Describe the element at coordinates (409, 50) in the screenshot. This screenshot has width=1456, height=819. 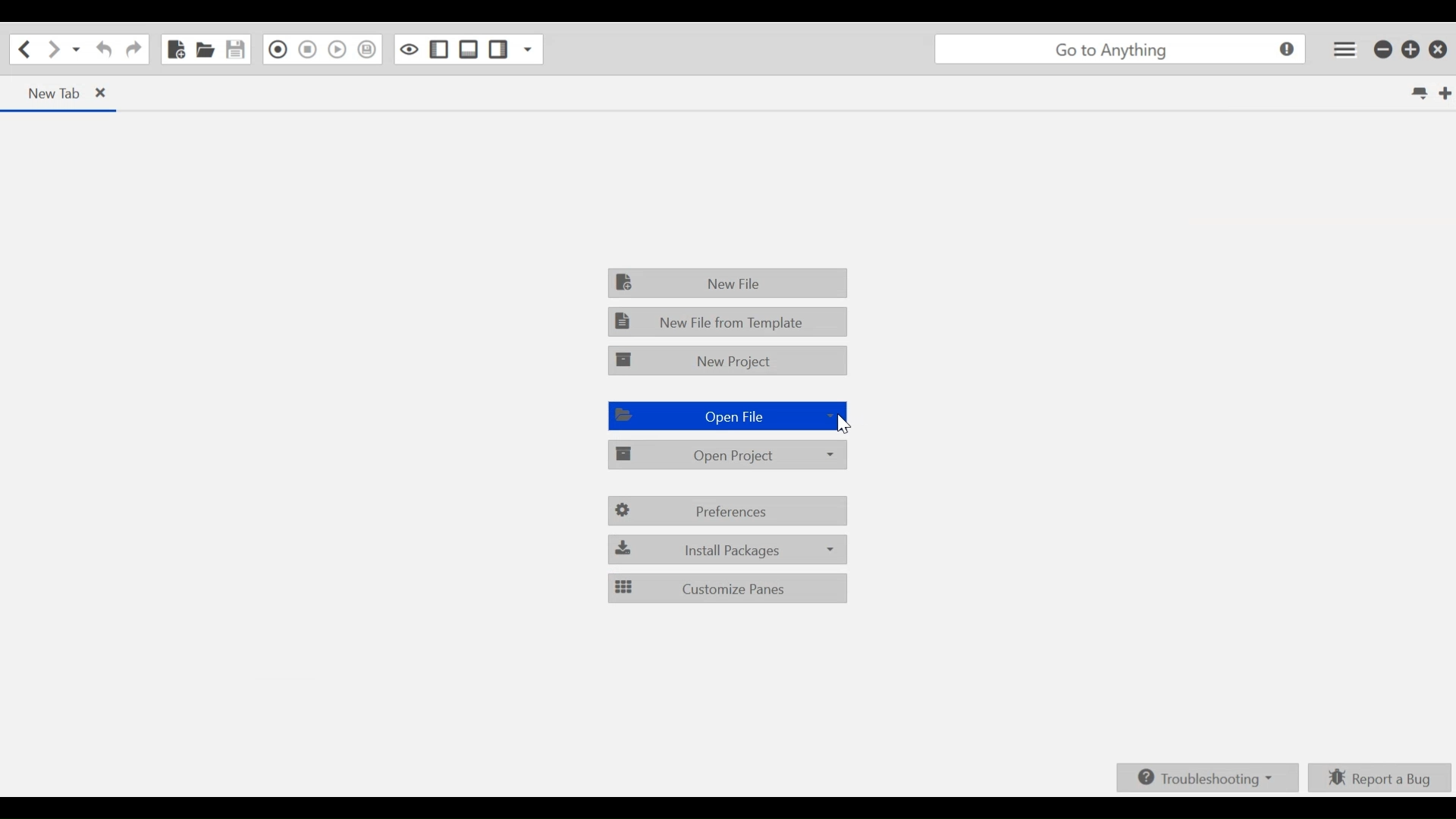
I see `Toggle focus mode` at that location.